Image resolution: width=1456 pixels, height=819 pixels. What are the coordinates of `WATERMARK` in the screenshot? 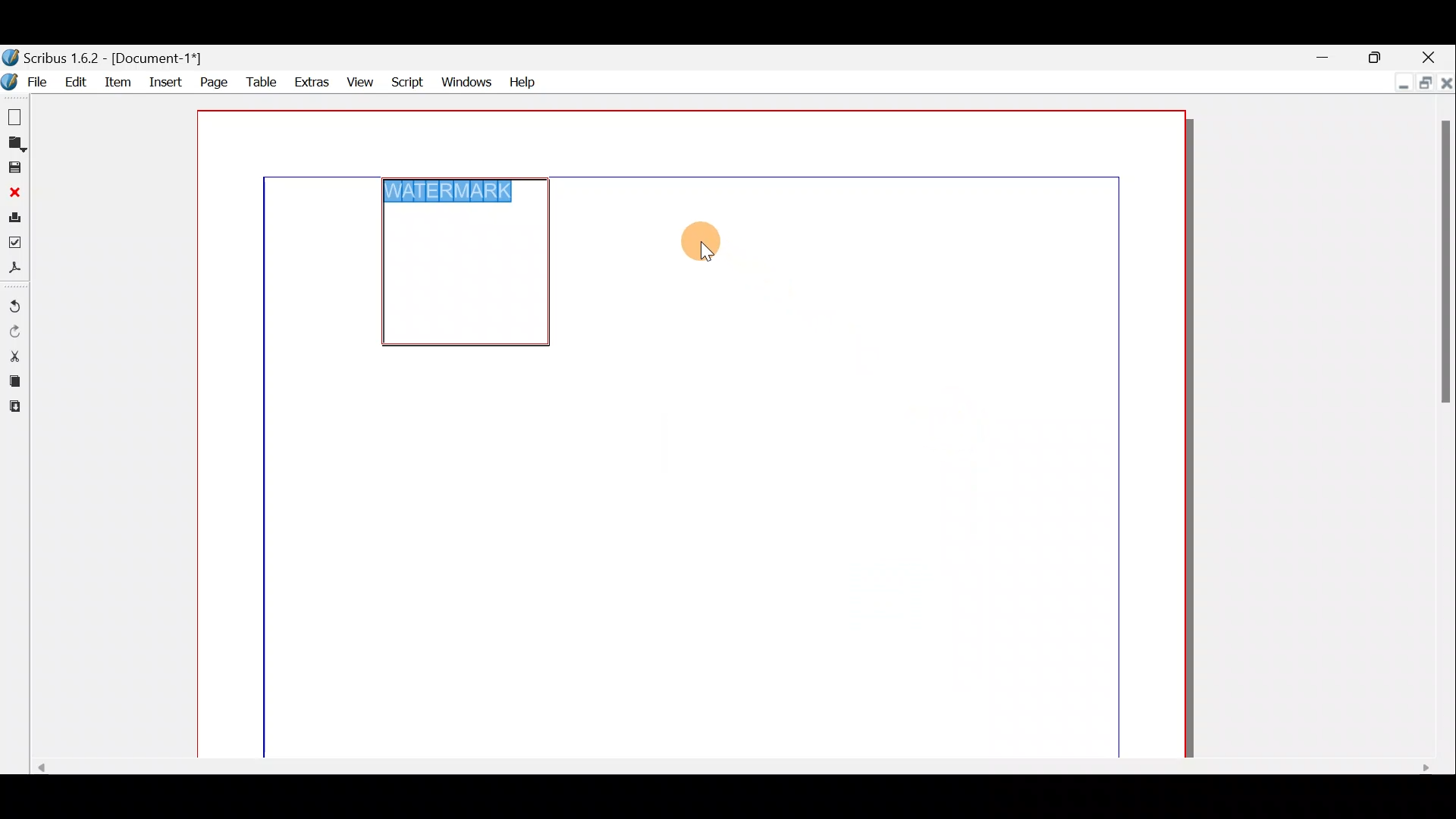 It's located at (447, 190).